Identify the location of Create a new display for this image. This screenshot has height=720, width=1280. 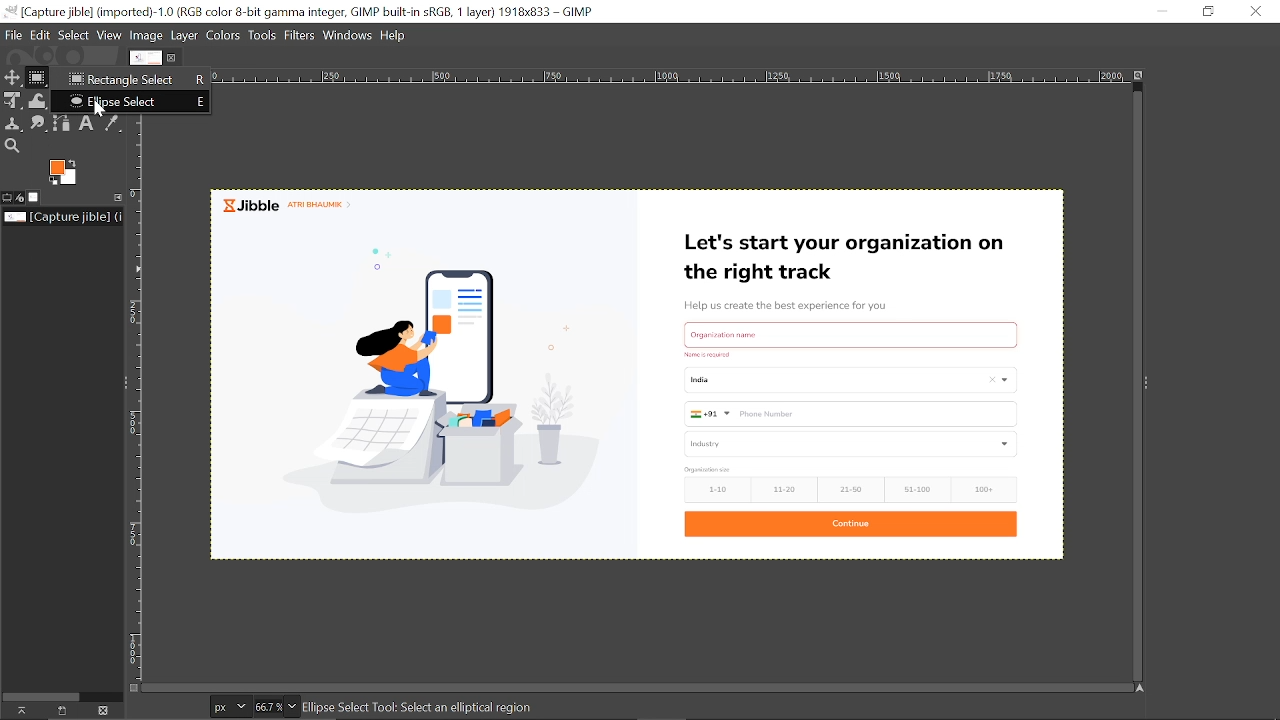
(62, 710).